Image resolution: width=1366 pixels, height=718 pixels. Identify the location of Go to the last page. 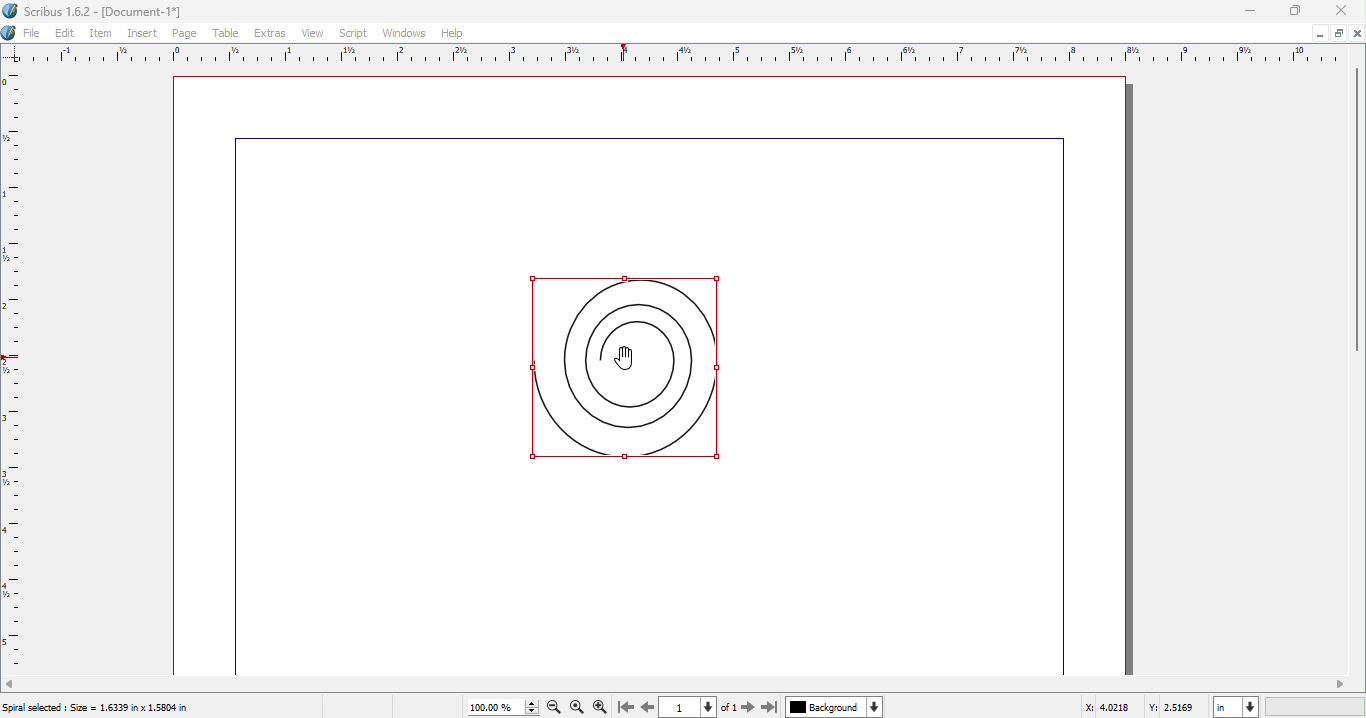
(623, 708).